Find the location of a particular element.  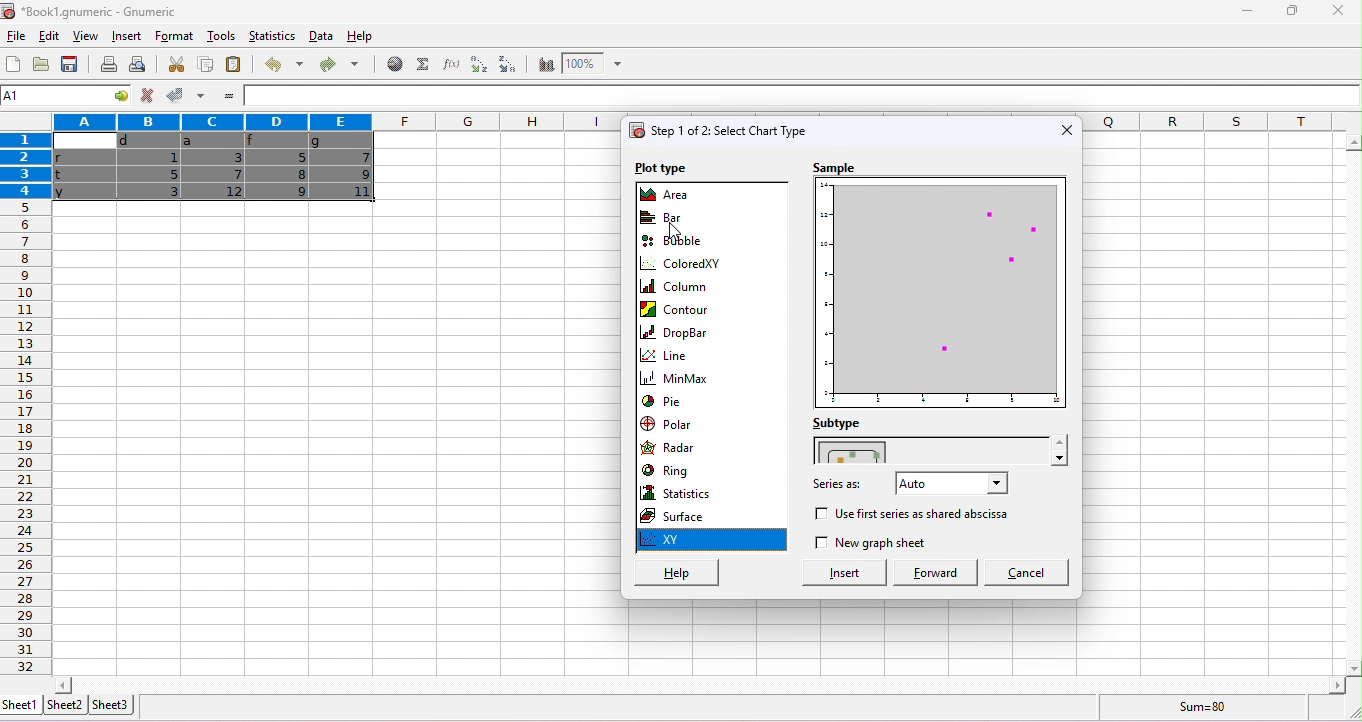

surface is located at coordinates (689, 518).